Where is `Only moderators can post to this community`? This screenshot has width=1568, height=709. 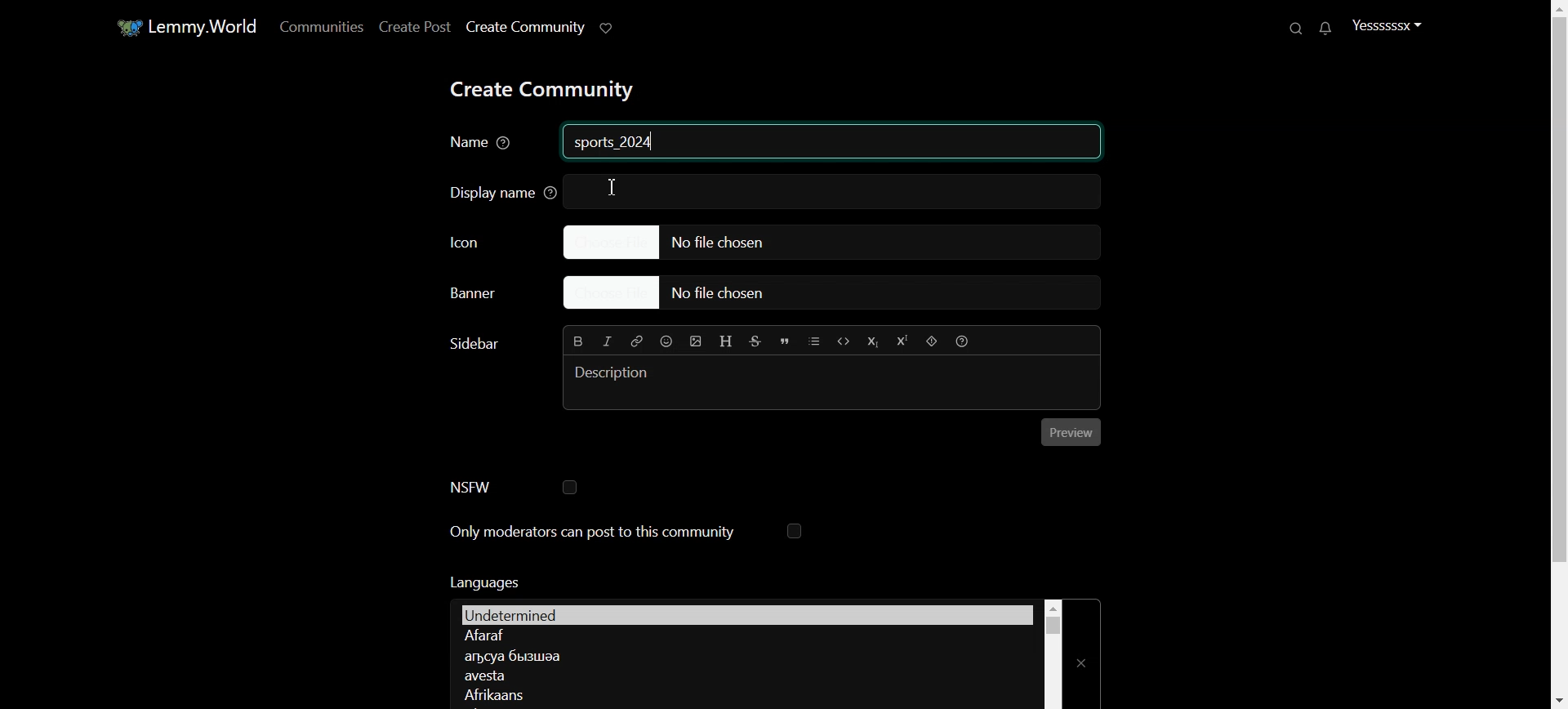 Only moderators can post to this community is located at coordinates (626, 533).